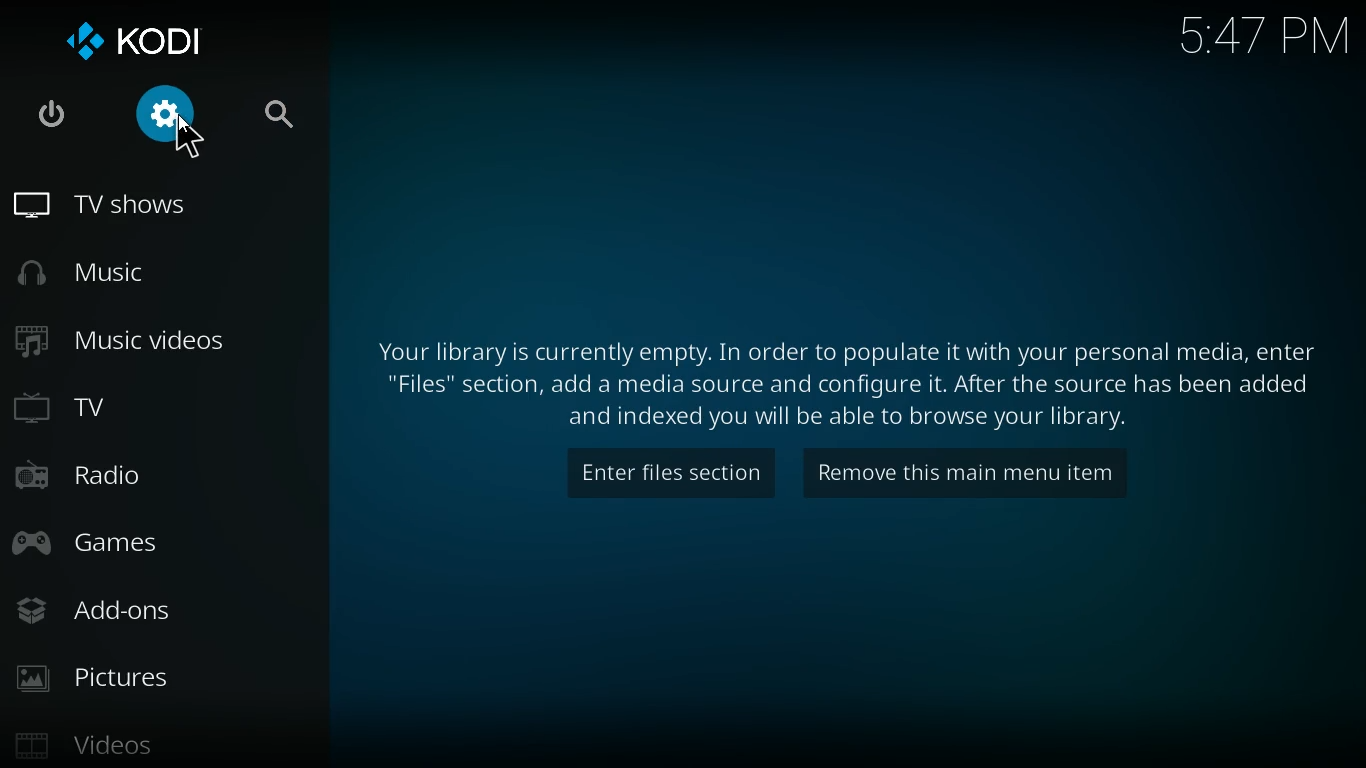  I want to click on pictures, so click(164, 677).